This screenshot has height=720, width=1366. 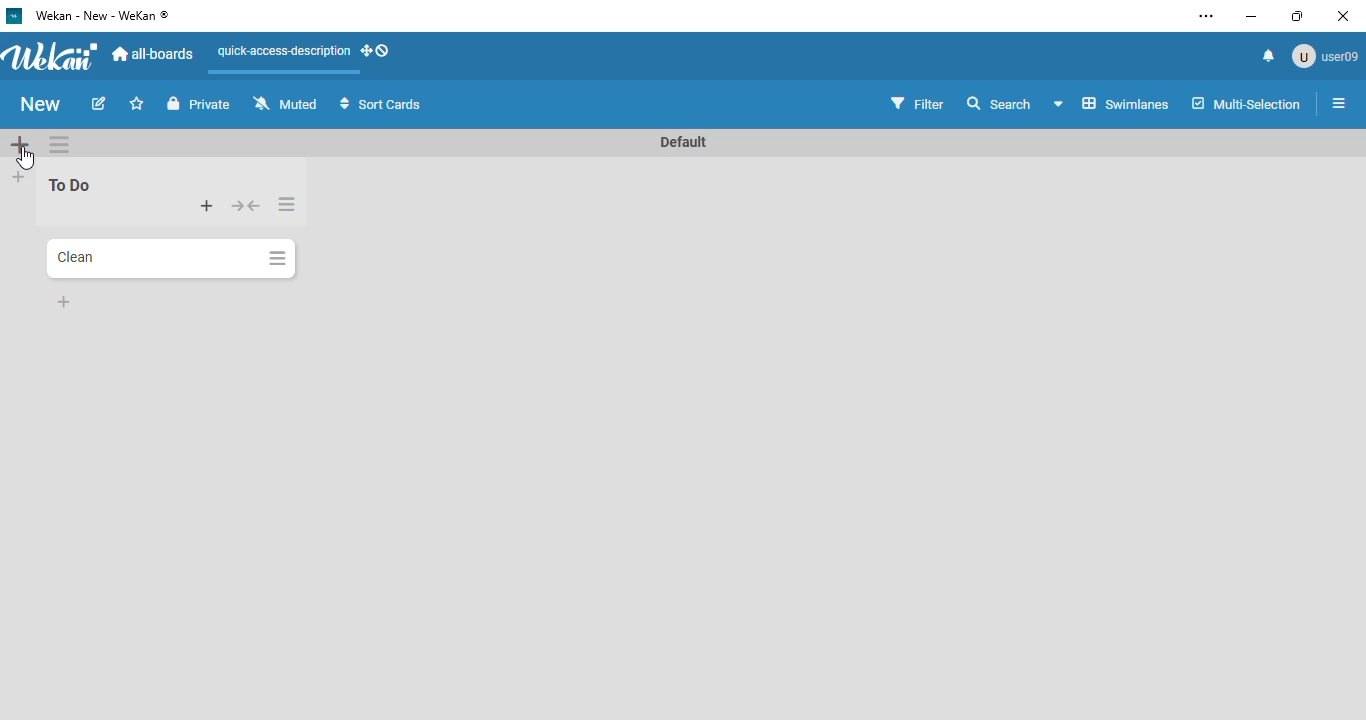 I want to click on filter, so click(x=917, y=102).